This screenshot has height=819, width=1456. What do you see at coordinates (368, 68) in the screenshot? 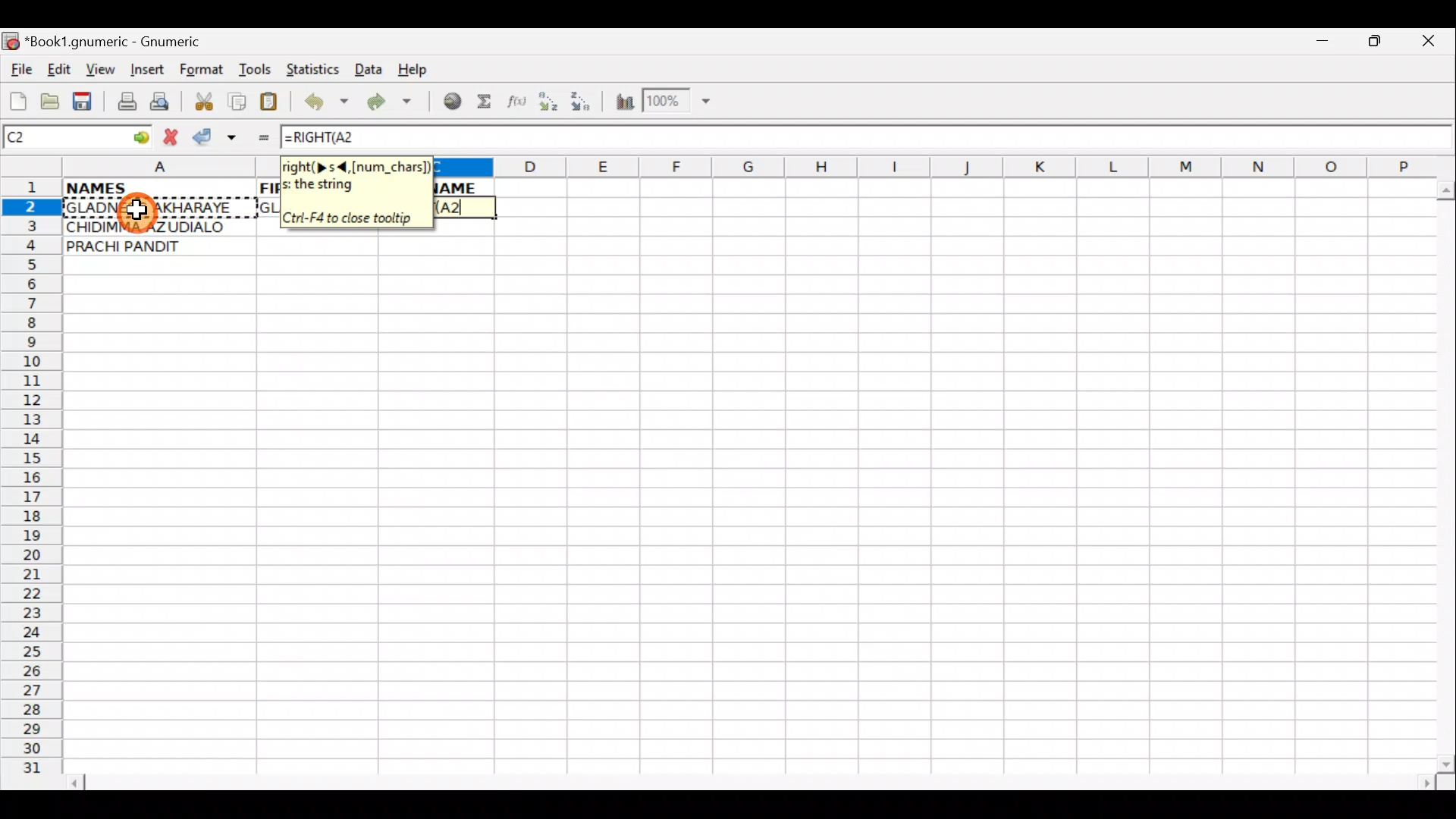
I see `Data` at bounding box center [368, 68].